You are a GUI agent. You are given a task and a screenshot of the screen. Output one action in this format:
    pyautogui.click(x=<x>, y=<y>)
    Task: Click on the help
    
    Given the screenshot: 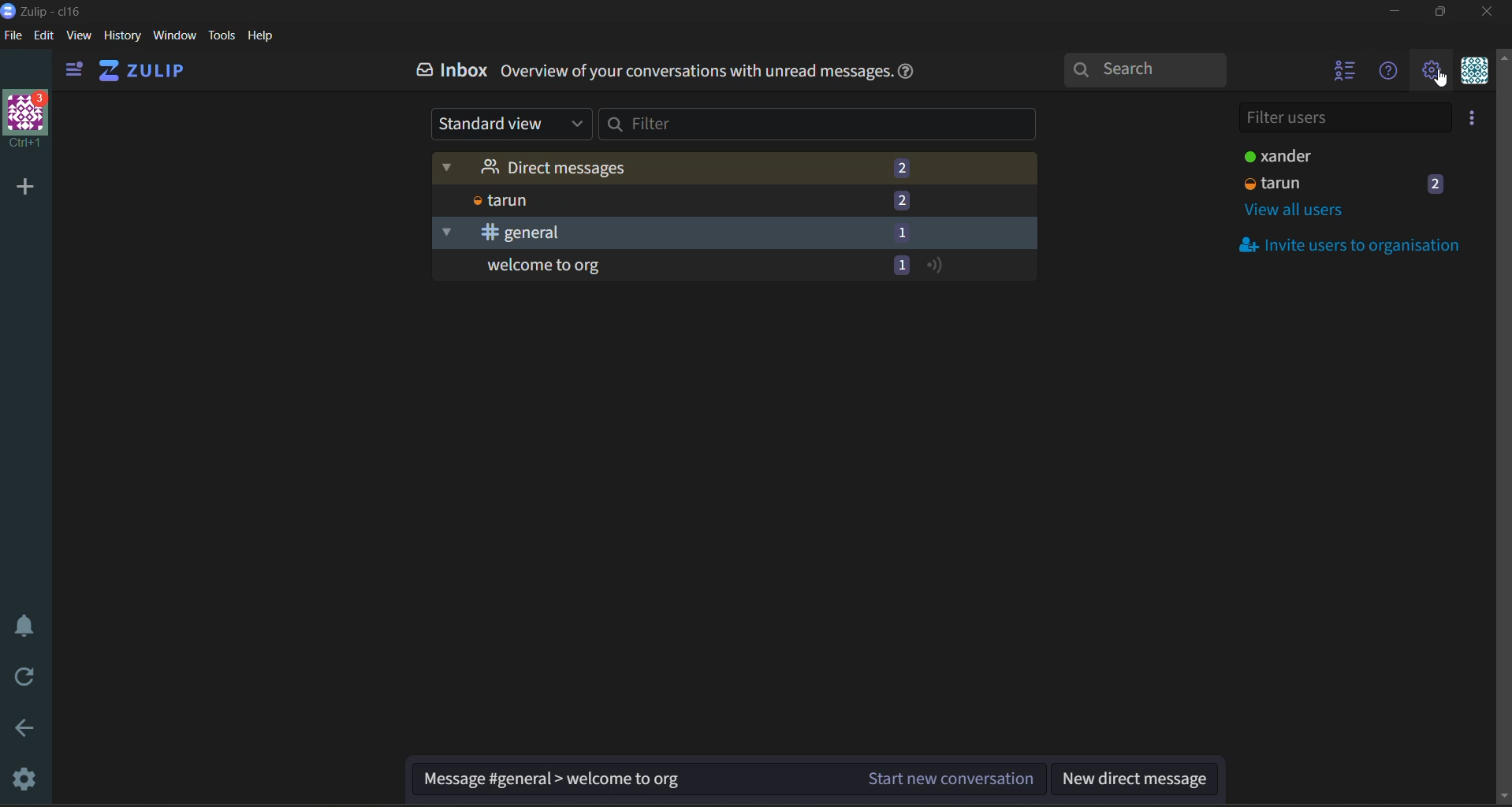 What is the action you would take?
    pyautogui.click(x=907, y=73)
    